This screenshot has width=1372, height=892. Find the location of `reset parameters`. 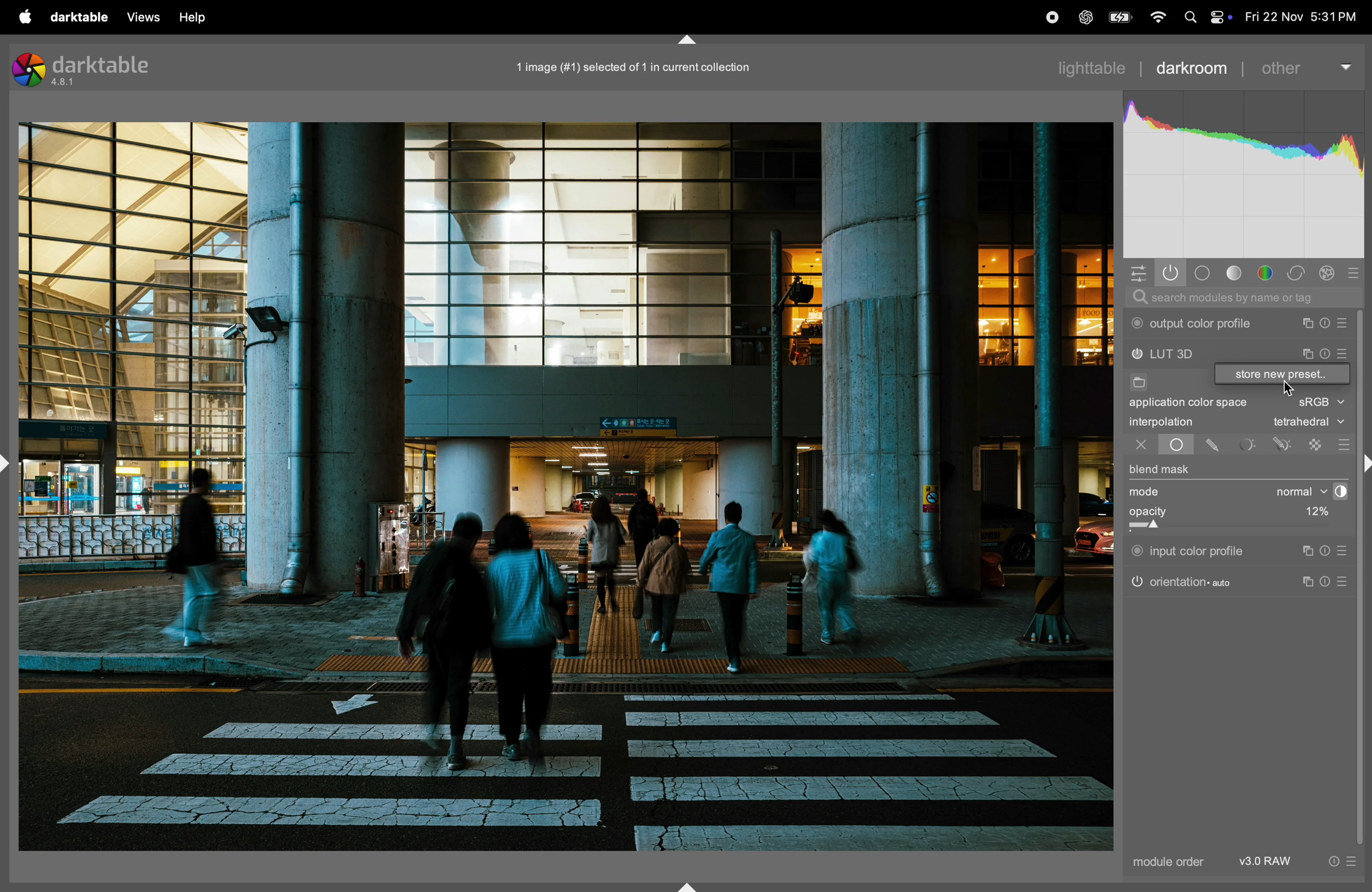

reset parameters is located at coordinates (1329, 551).